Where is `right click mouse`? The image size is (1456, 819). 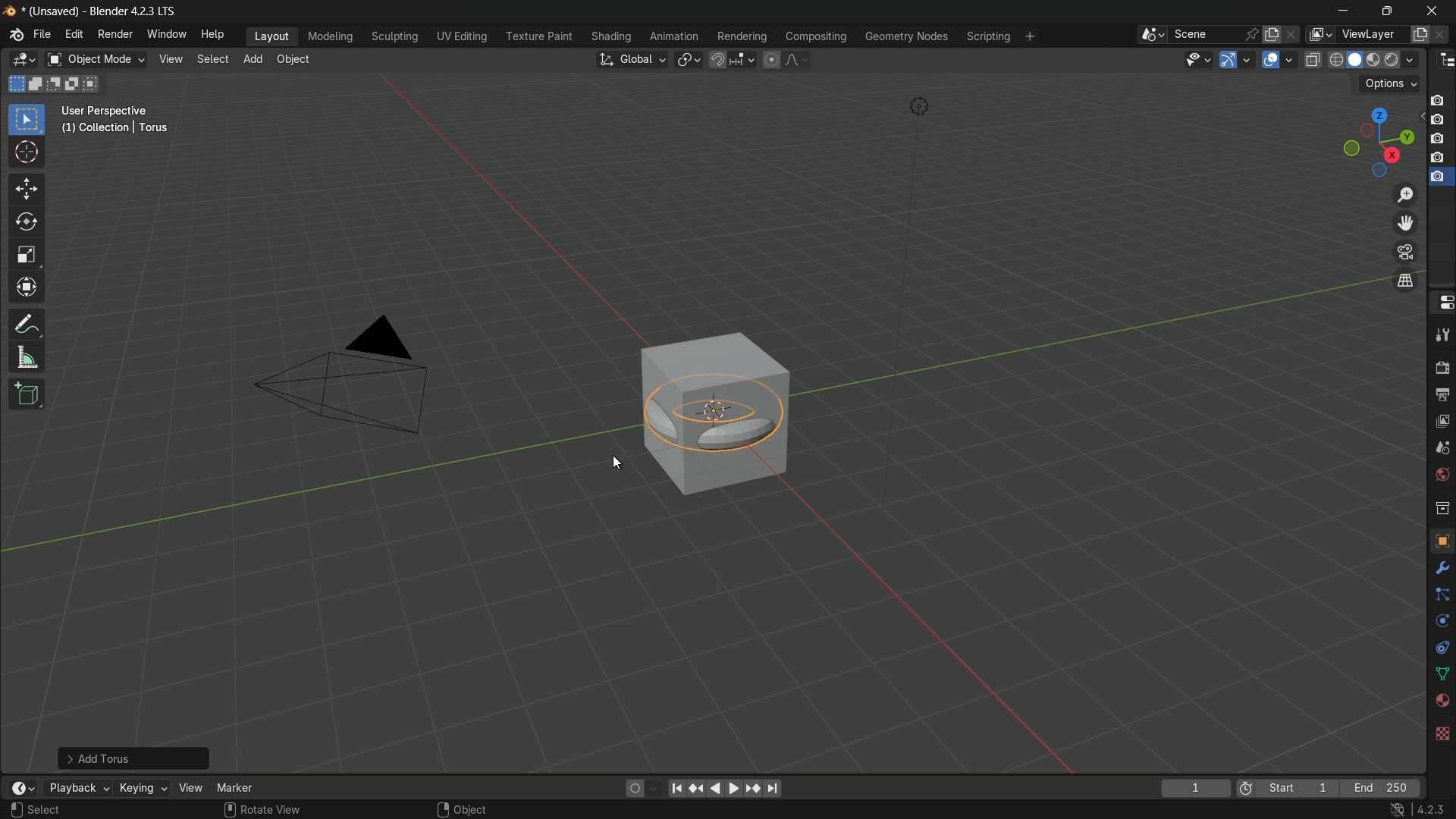
right click mouse is located at coordinates (441, 809).